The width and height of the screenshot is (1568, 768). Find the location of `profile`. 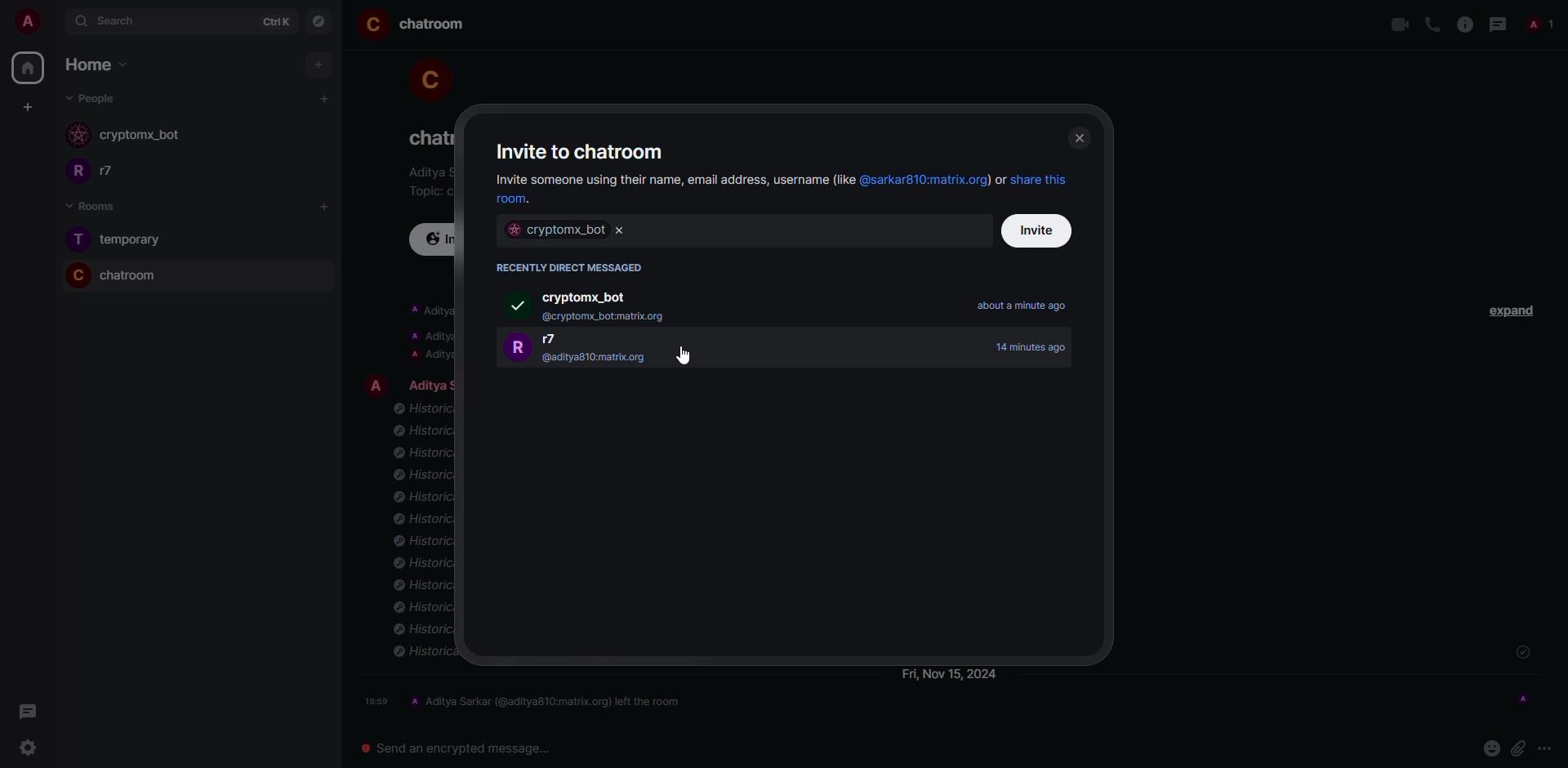

profile is located at coordinates (426, 76).